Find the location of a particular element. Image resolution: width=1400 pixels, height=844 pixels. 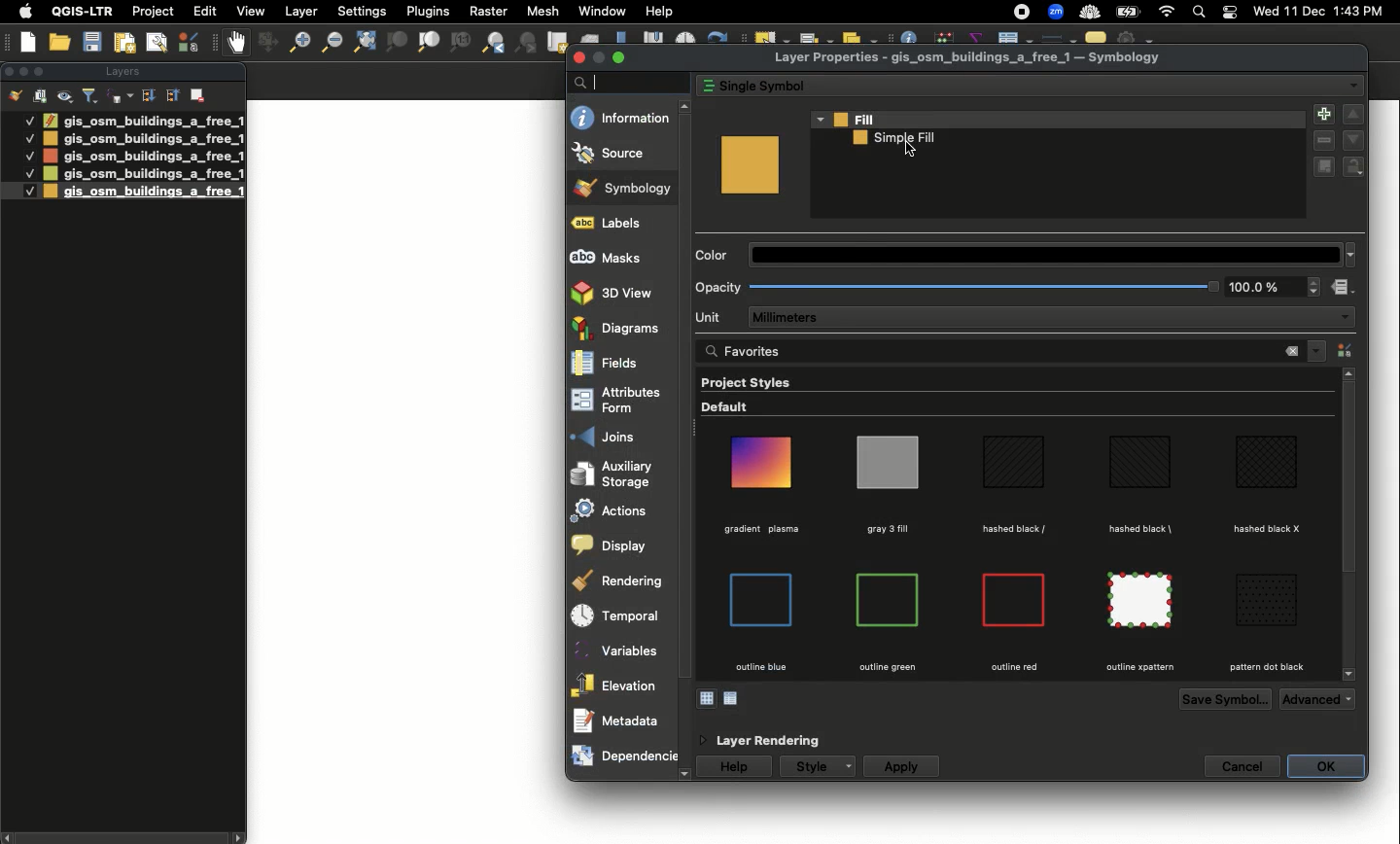

Joins is located at coordinates (621, 436).